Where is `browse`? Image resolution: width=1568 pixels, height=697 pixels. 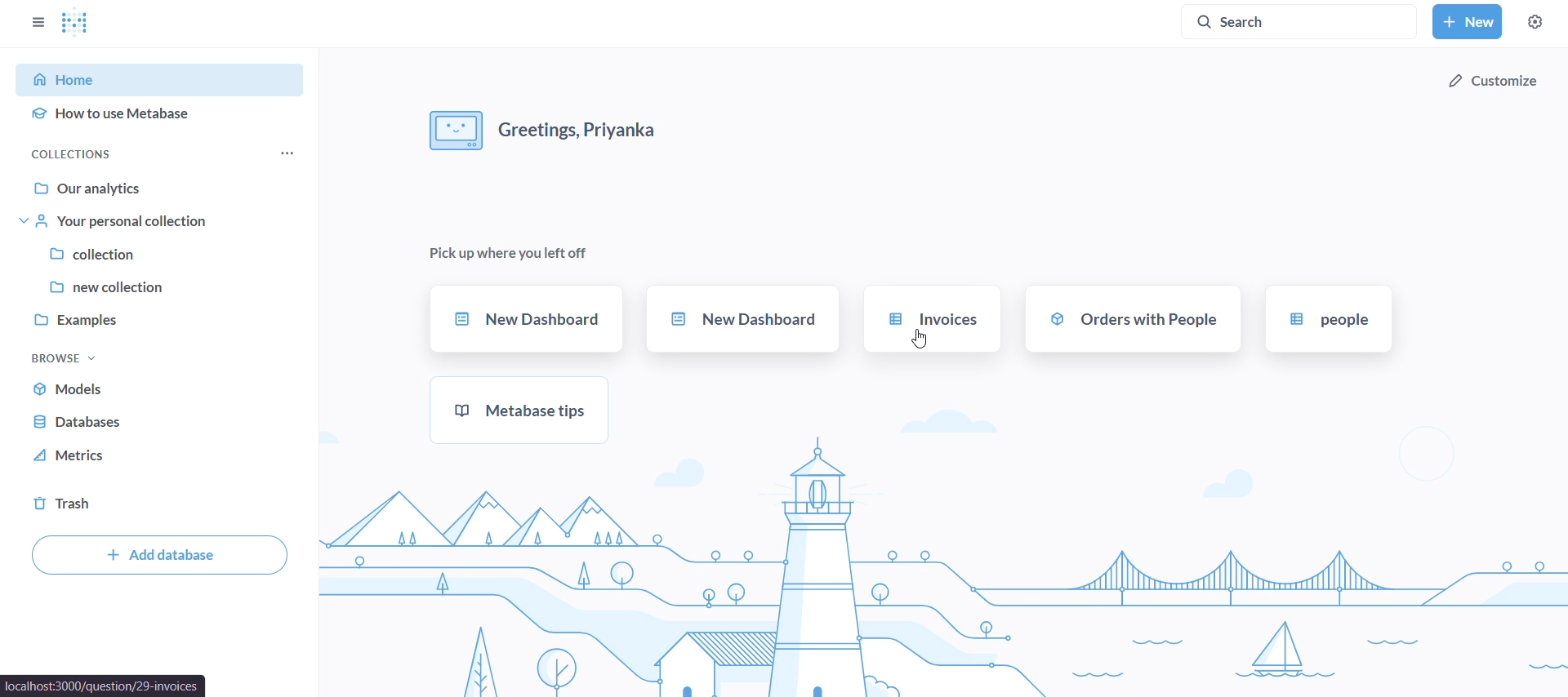 browse is located at coordinates (56, 357).